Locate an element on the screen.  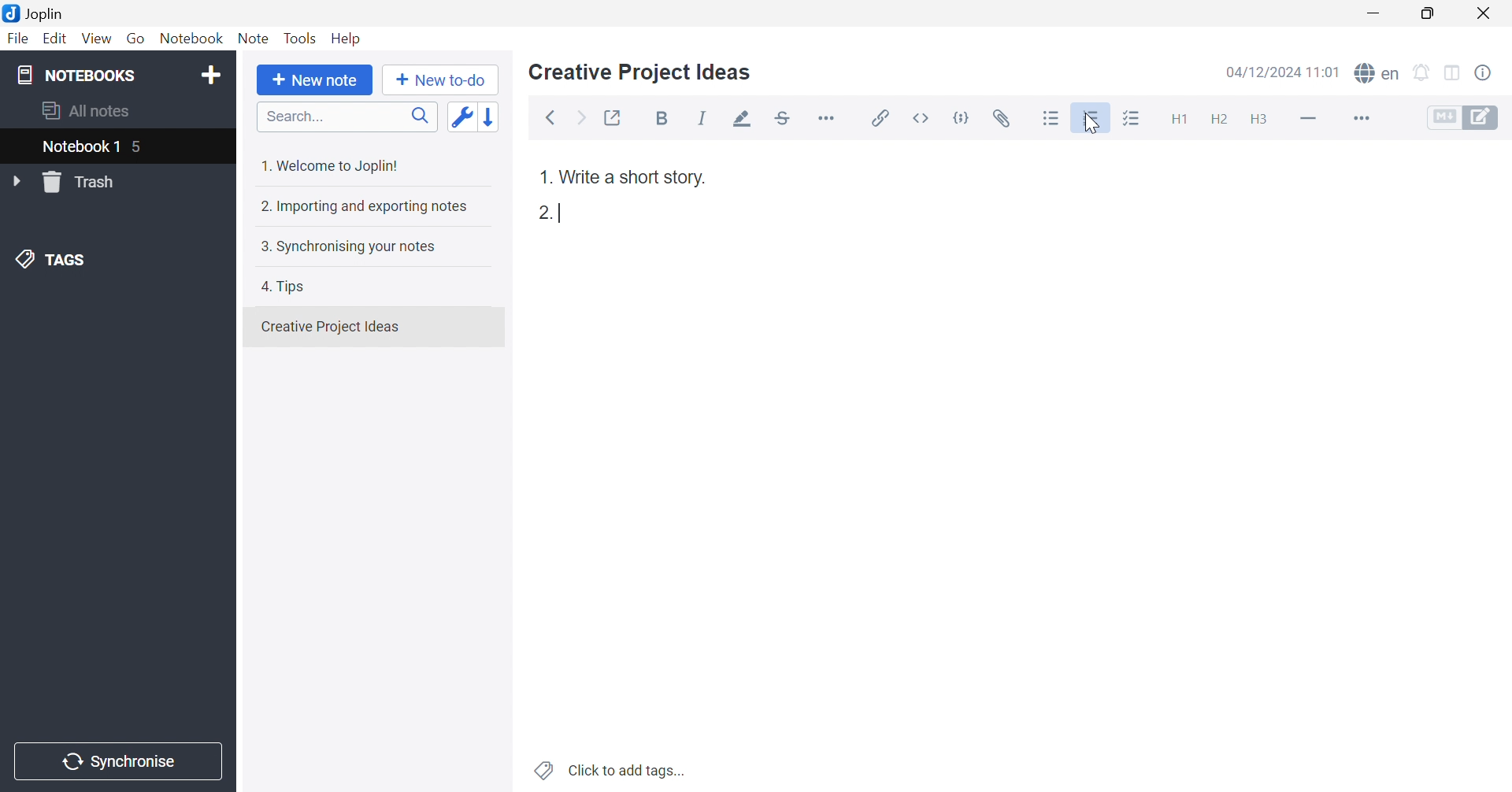
Heading 2 is located at coordinates (1221, 121).